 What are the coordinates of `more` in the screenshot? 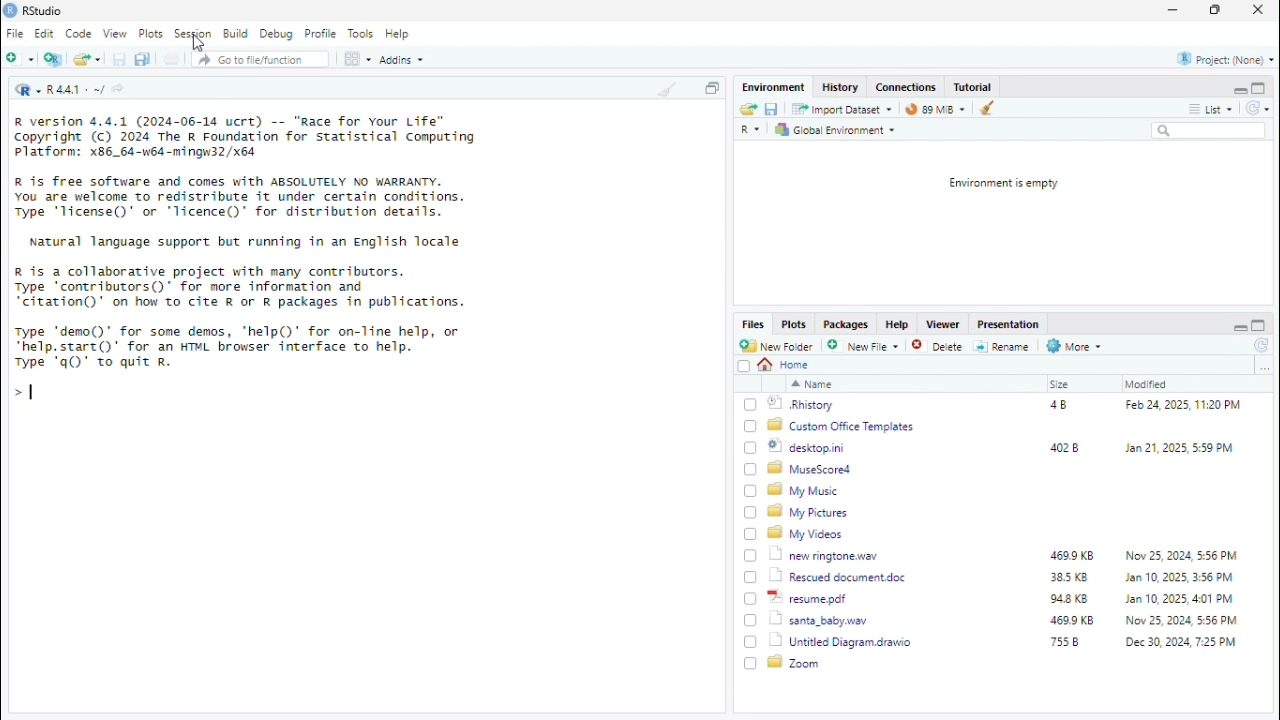 It's located at (1264, 367).